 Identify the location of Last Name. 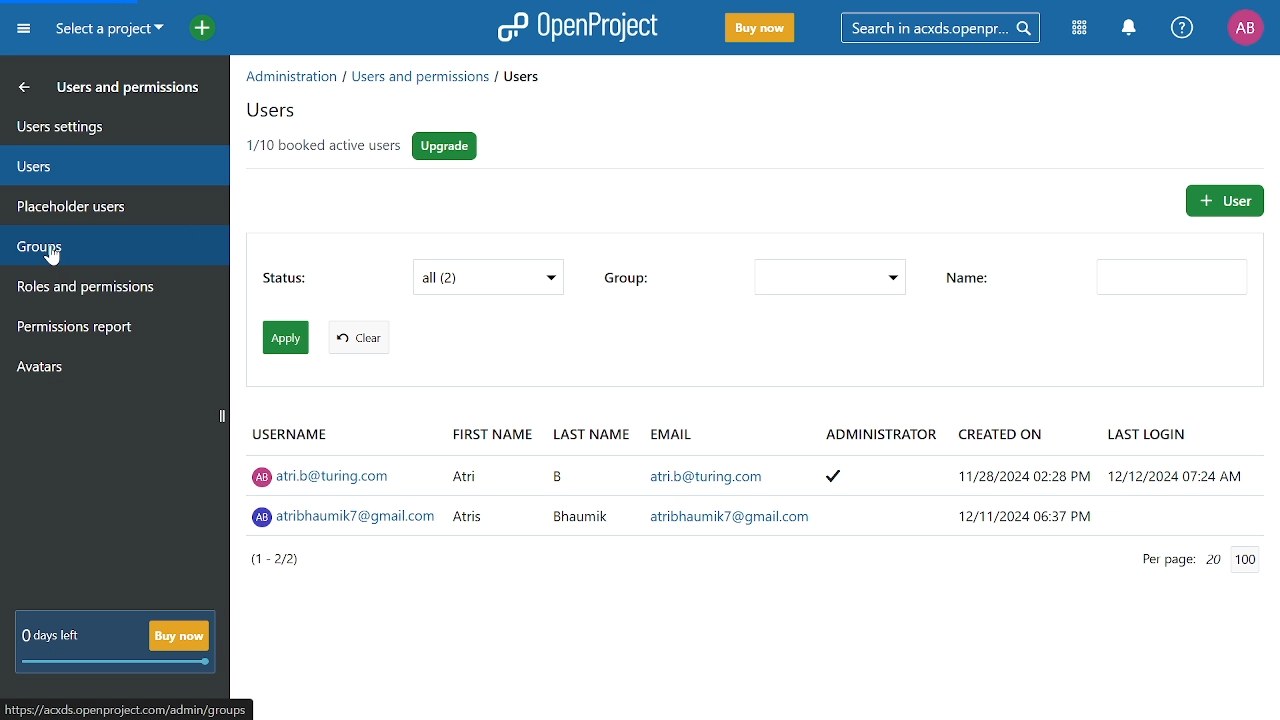
(593, 433).